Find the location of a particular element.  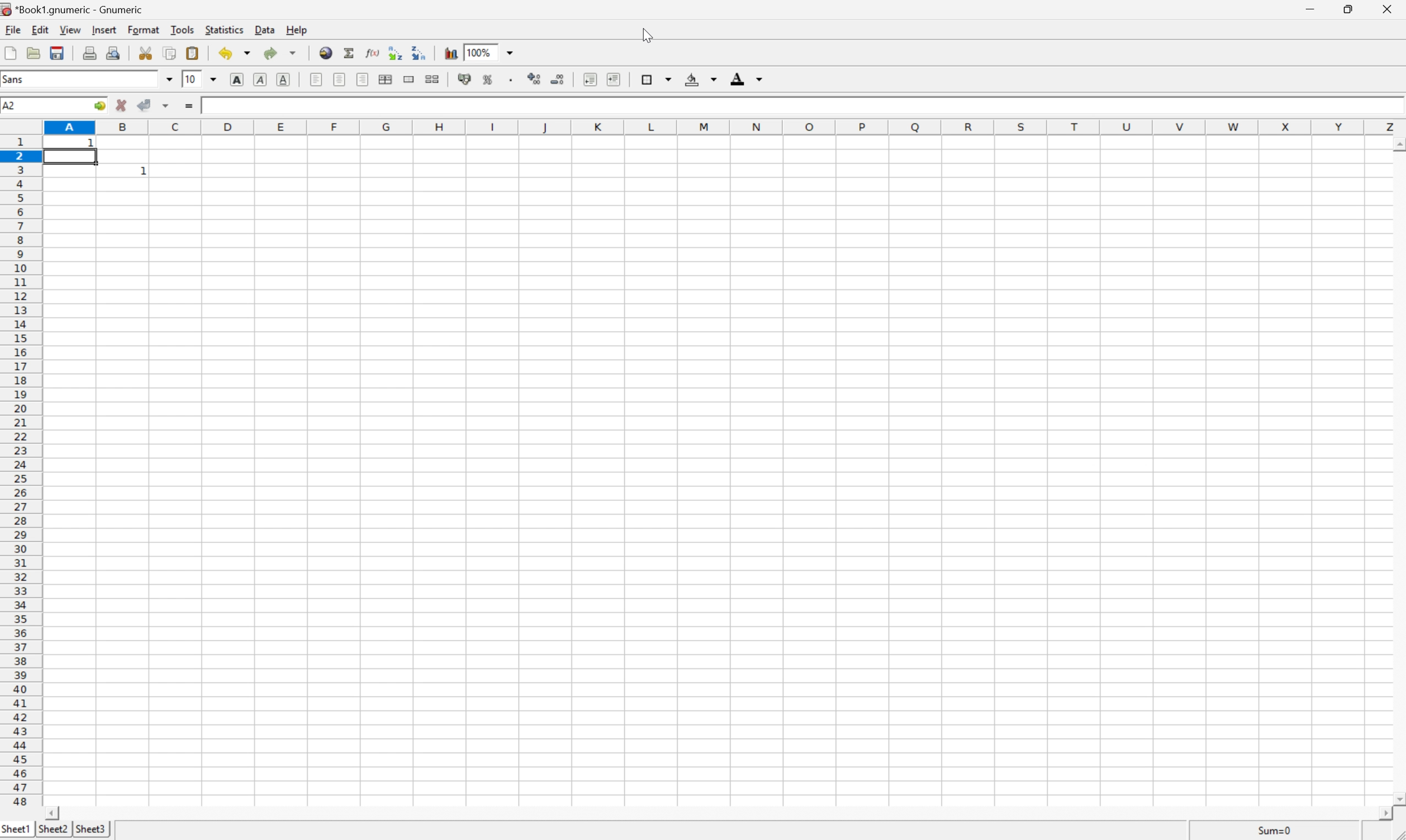

data is located at coordinates (266, 30).